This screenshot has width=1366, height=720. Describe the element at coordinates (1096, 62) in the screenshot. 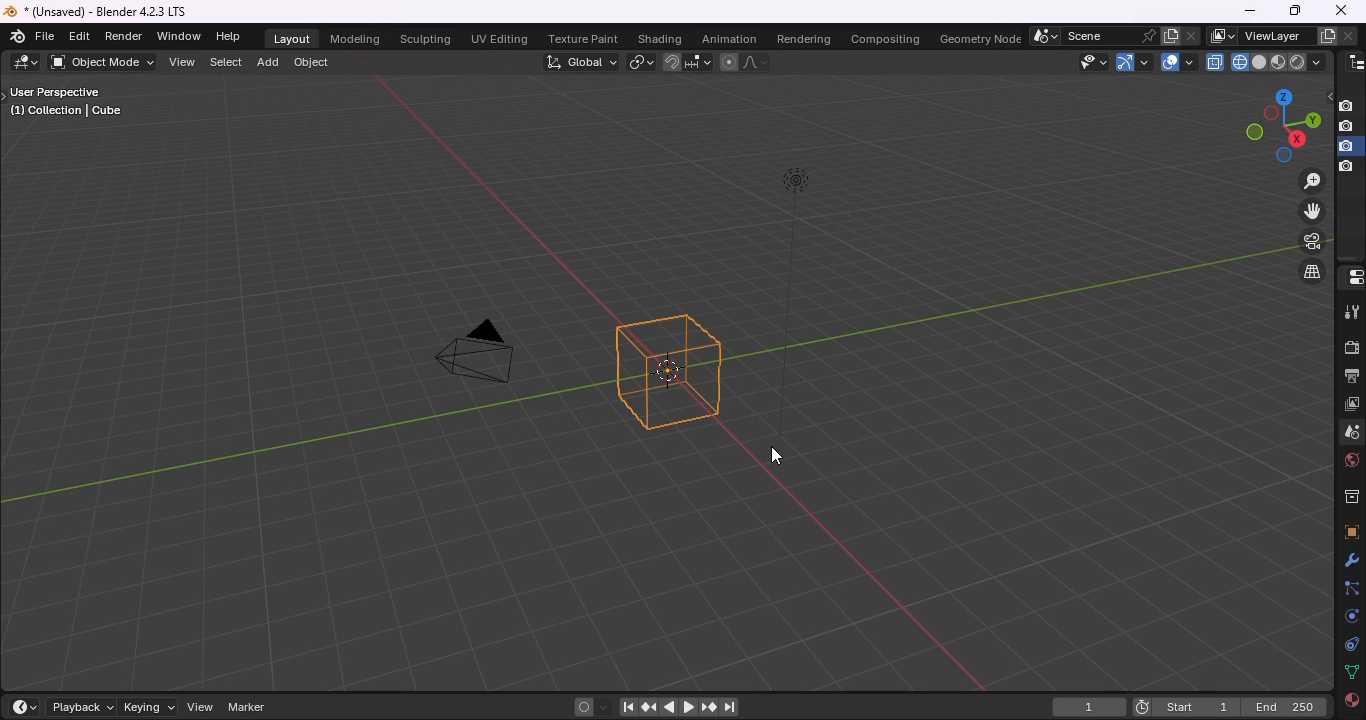

I see `select-ability & visibility` at that location.